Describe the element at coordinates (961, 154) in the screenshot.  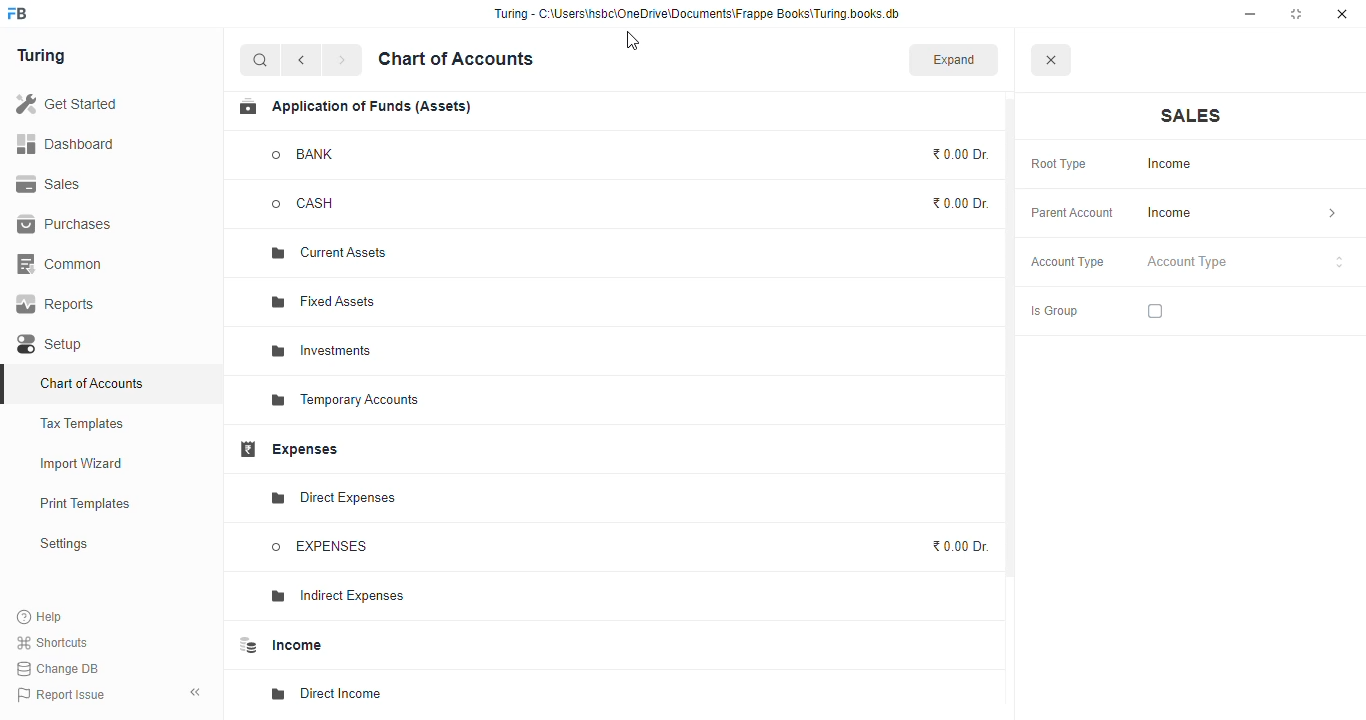
I see `₹0.00 Dr.` at that location.